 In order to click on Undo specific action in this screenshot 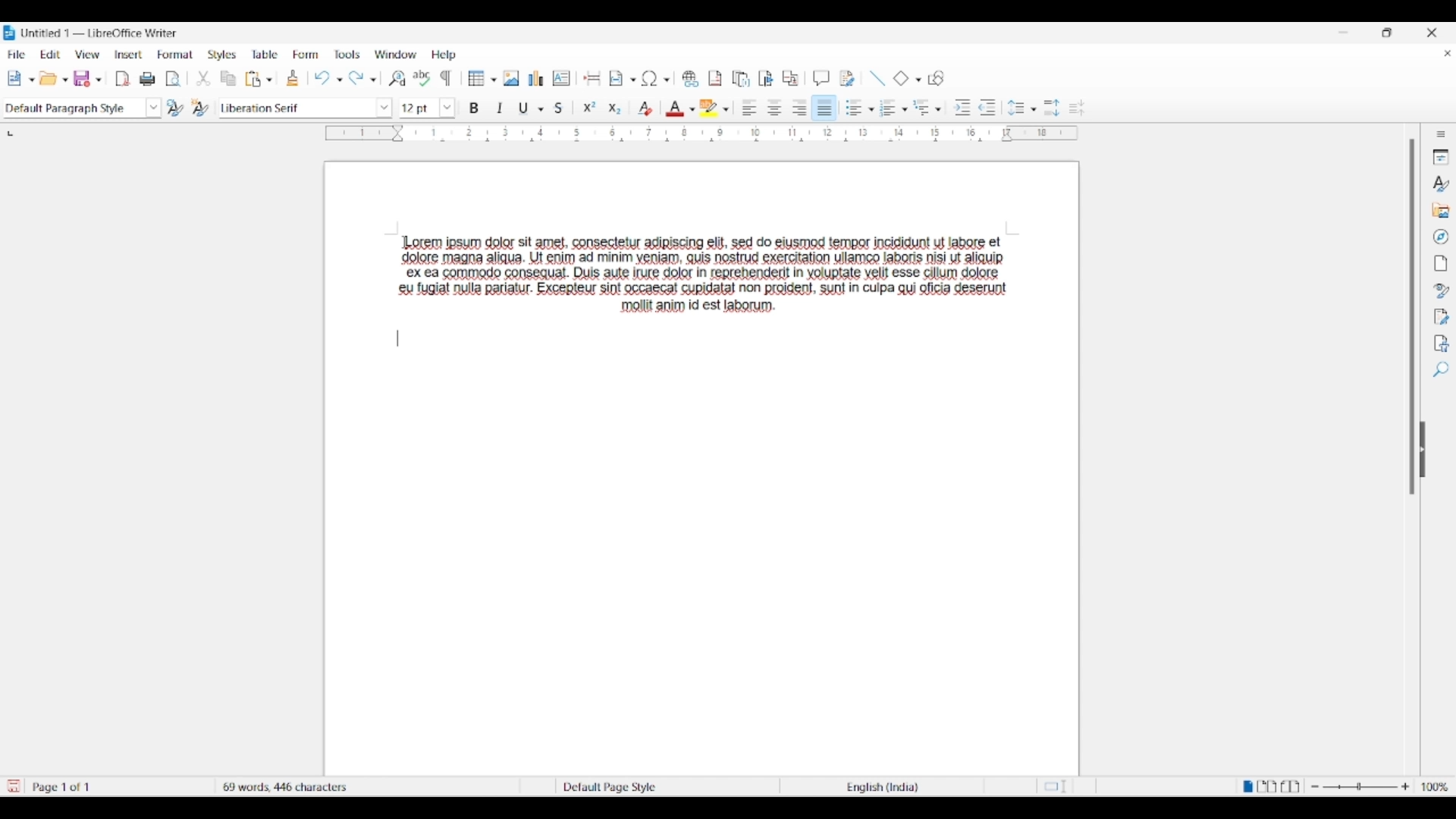, I will do `click(339, 80)`.